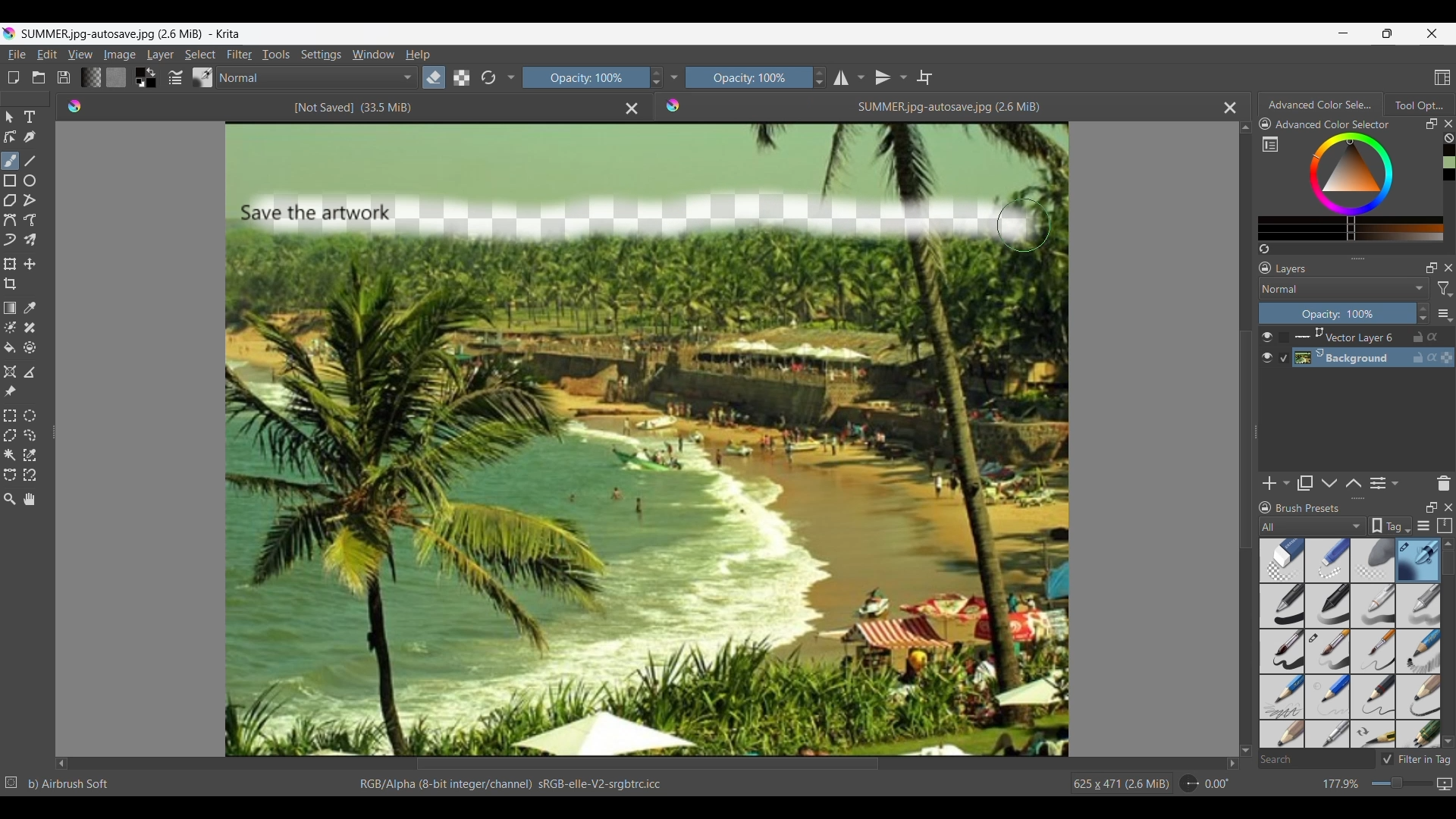  Describe the element at coordinates (1265, 268) in the screenshot. I see `Lock layers panel` at that location.